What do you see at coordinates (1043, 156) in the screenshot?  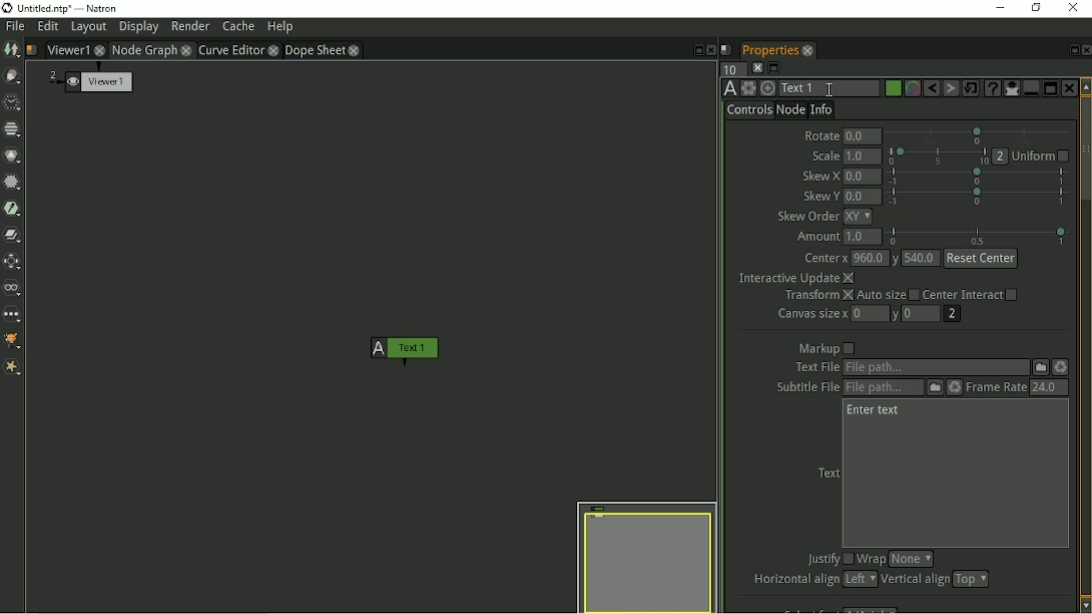 I see `Uniform` at bounding box center [1043, 156].